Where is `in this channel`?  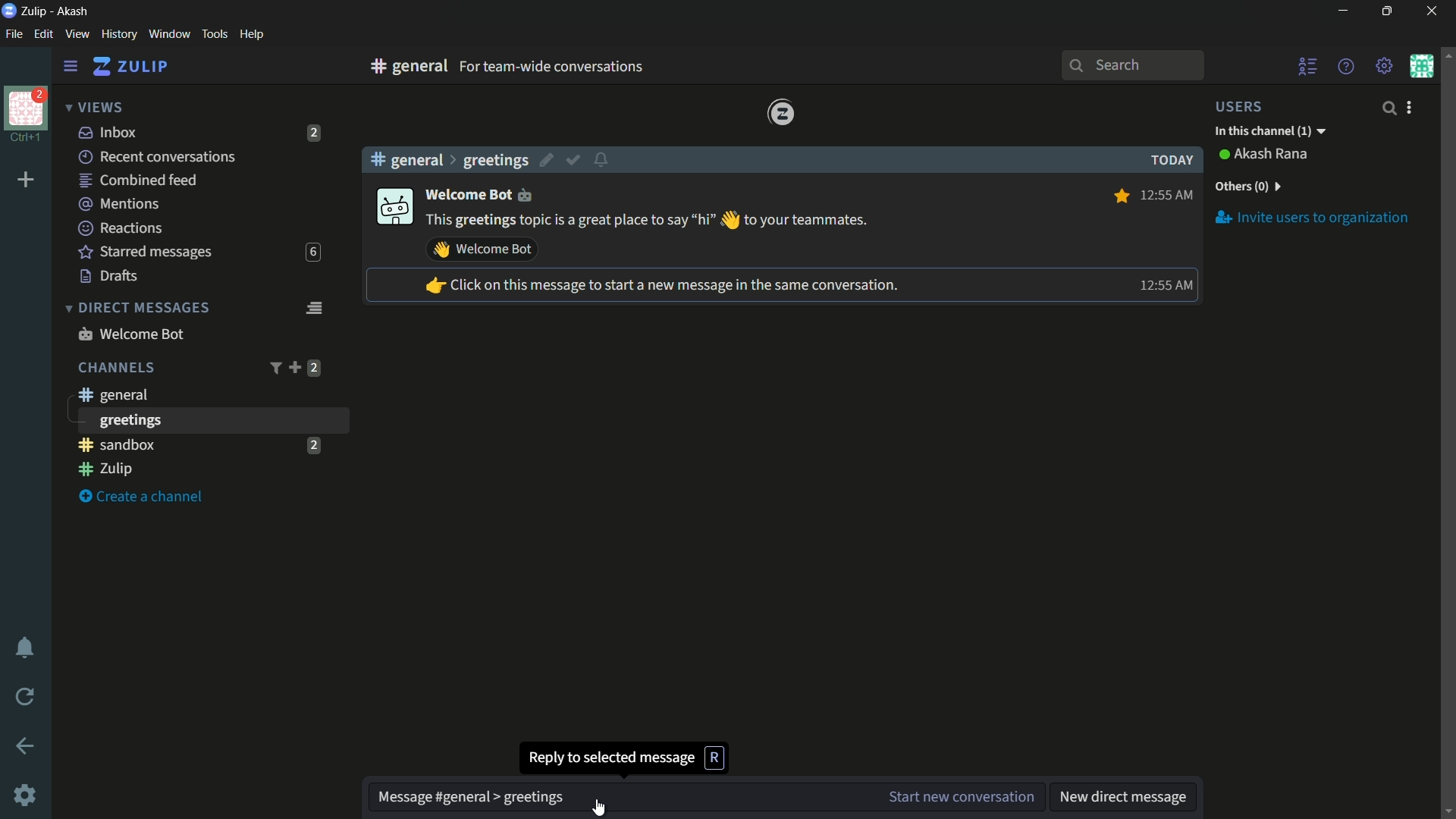
in this channel is located at coordinates (1270, 132).